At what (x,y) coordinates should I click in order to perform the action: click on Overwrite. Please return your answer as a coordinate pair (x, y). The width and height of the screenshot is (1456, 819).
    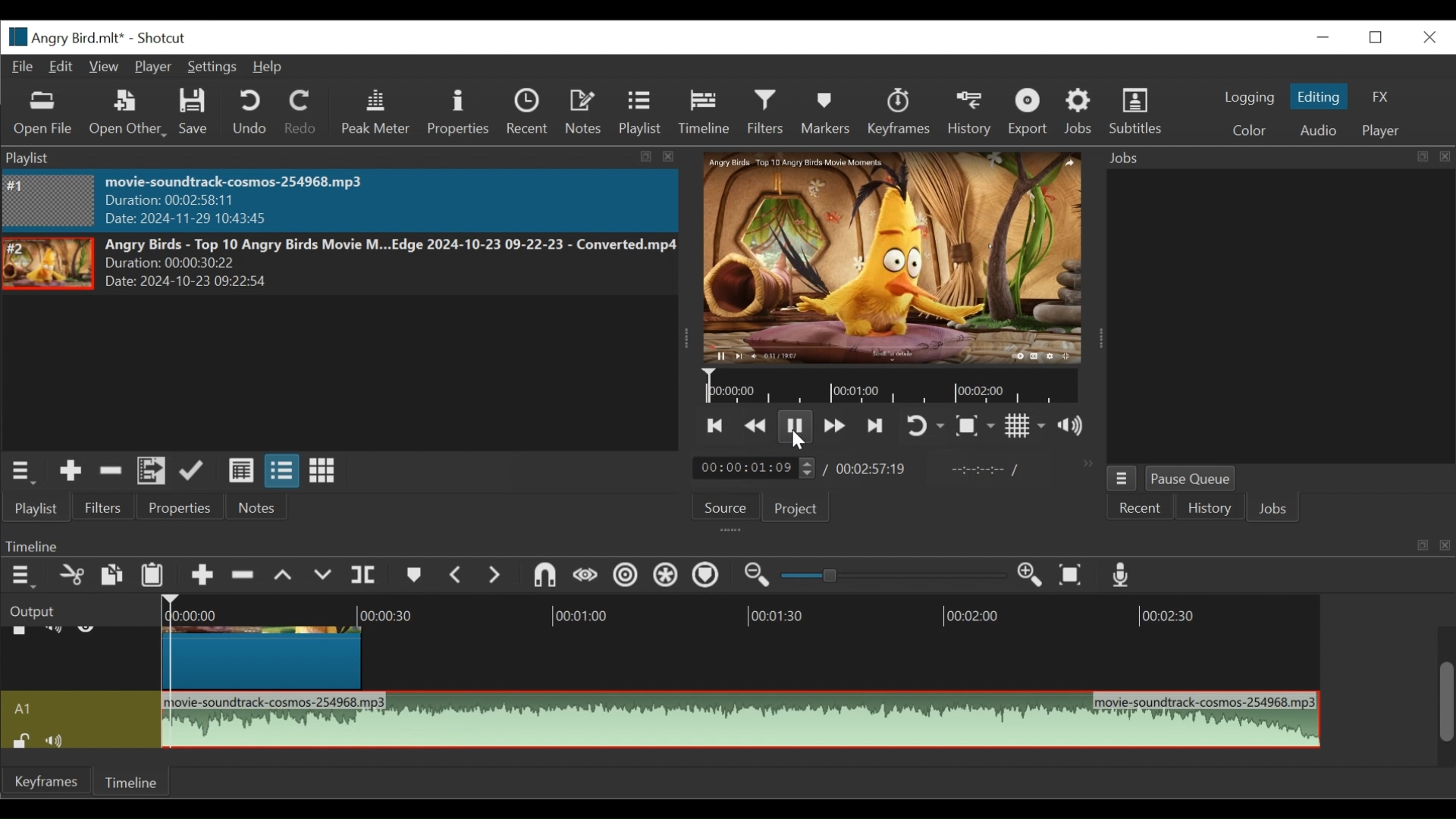
    Looking at the image, I should click on (324, 576).